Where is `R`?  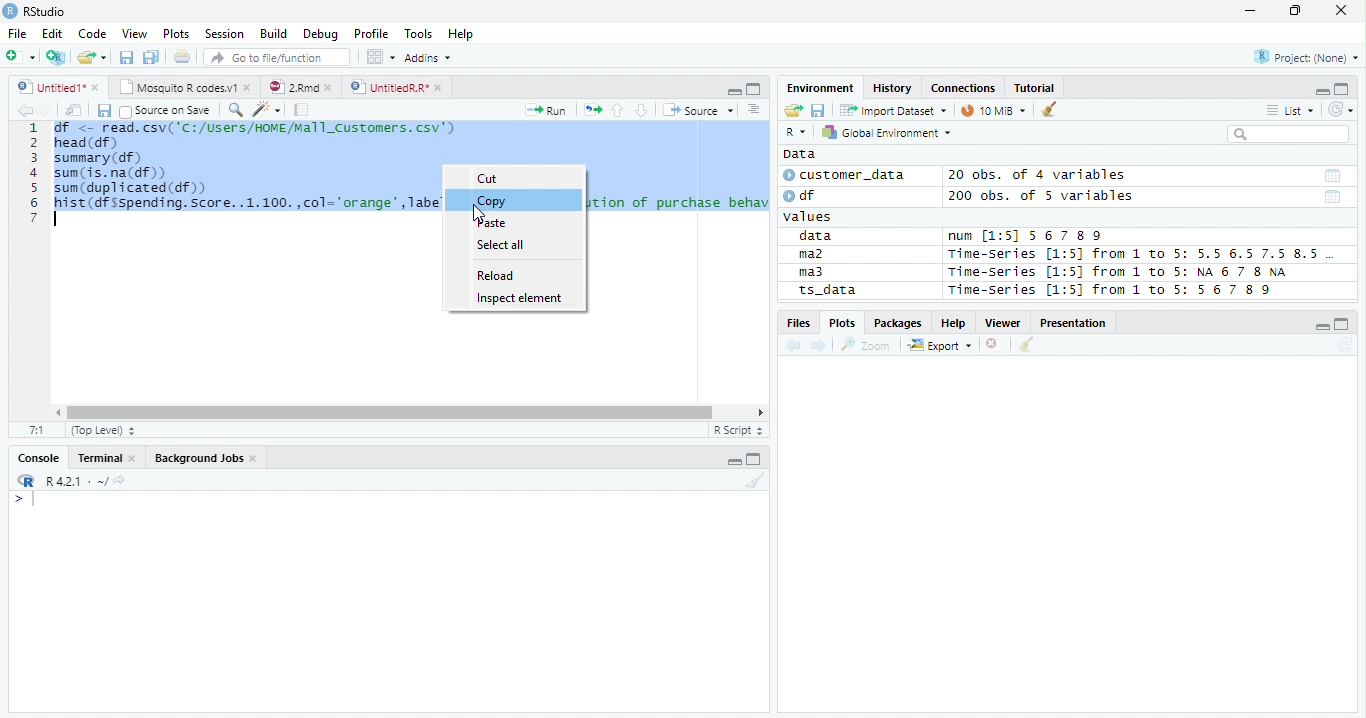
R is located at coordinates (24, 481).